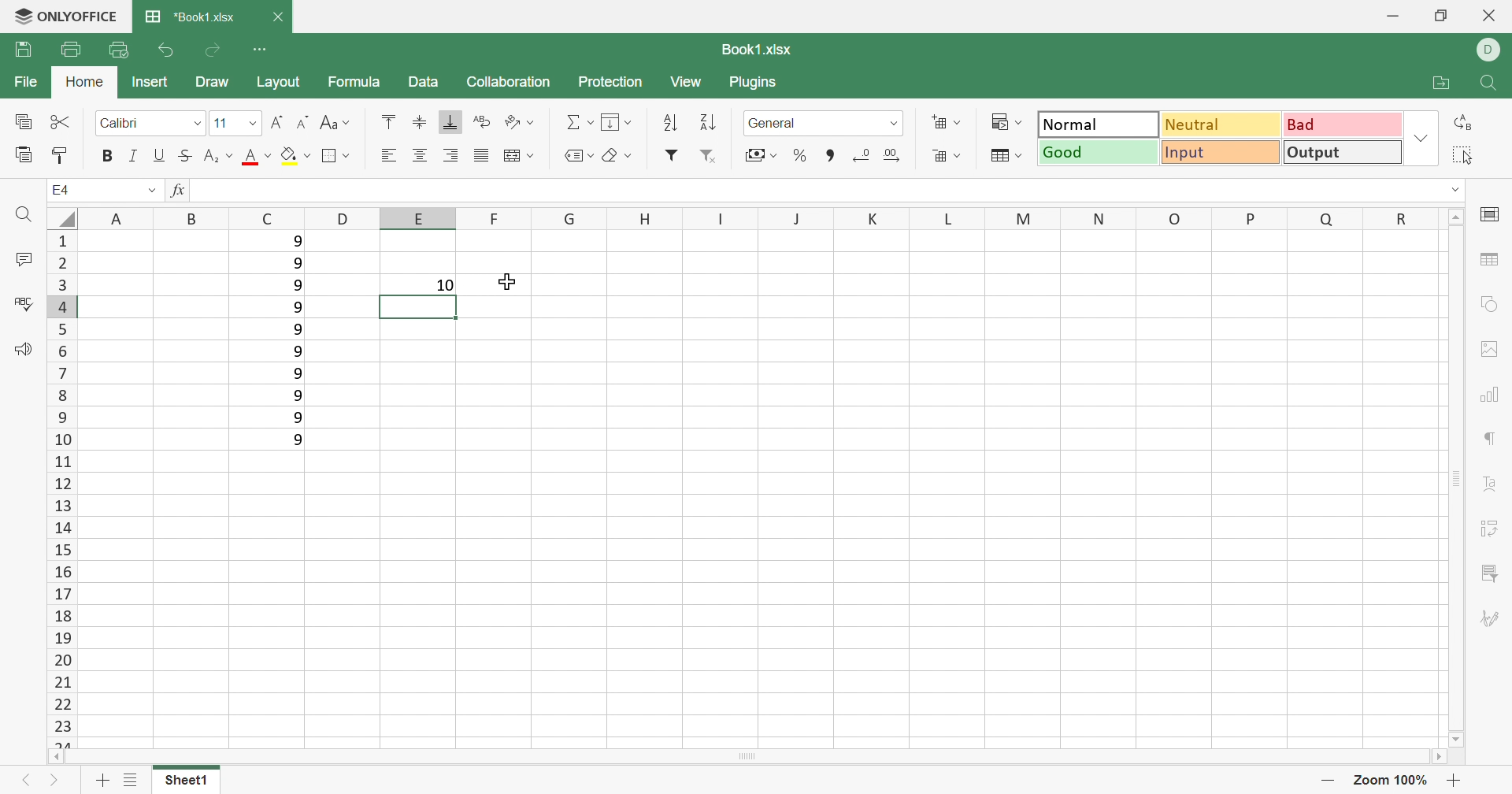 The width and height of the screenshot is (1512, 794). Describe the element at coordinates (191, 781) in the screenshot. I see `Sheet1` at that location.